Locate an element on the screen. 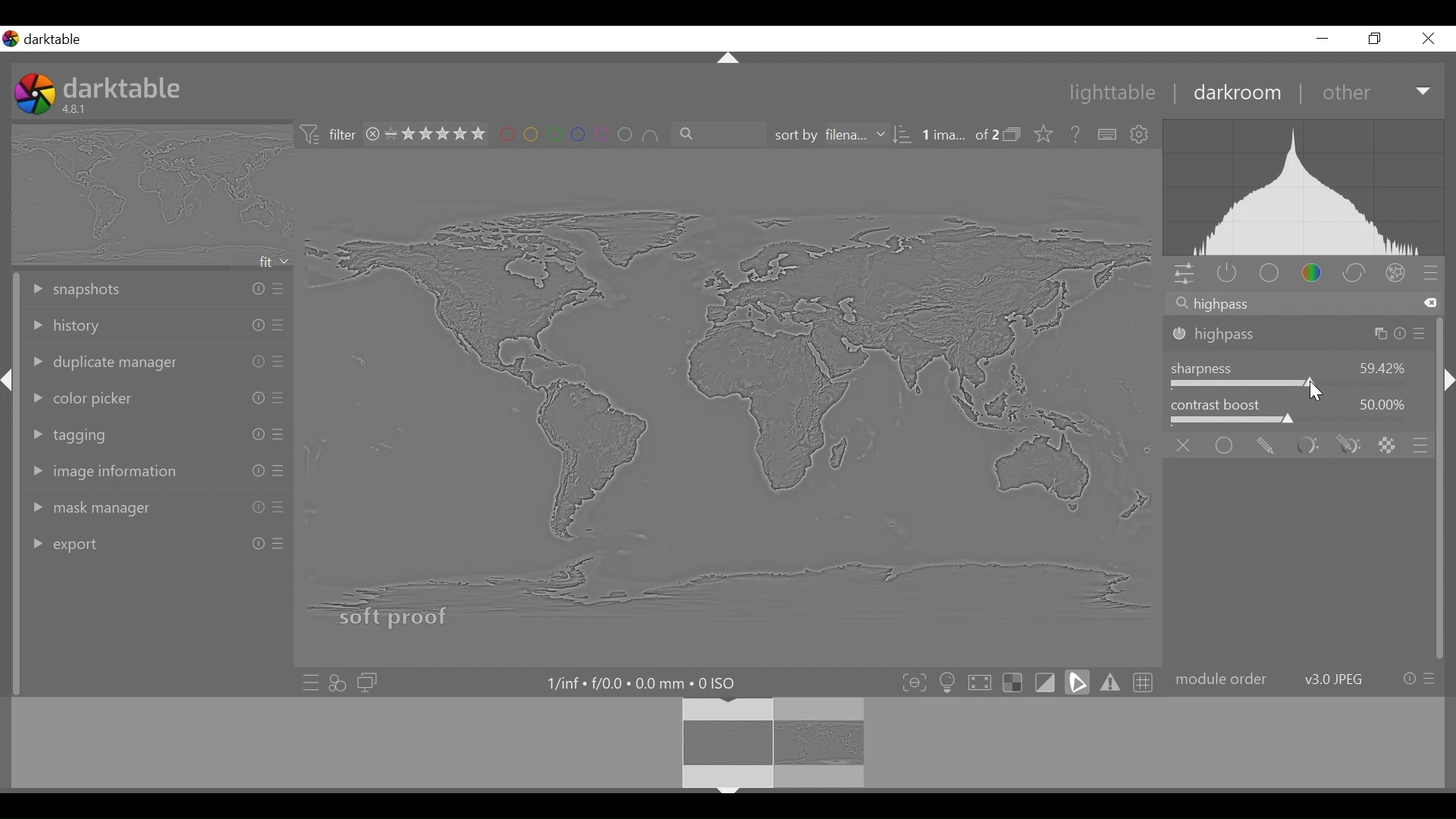 This screenshot has width=1456, height=819. sharpness is located at coordinates (1204, 369).